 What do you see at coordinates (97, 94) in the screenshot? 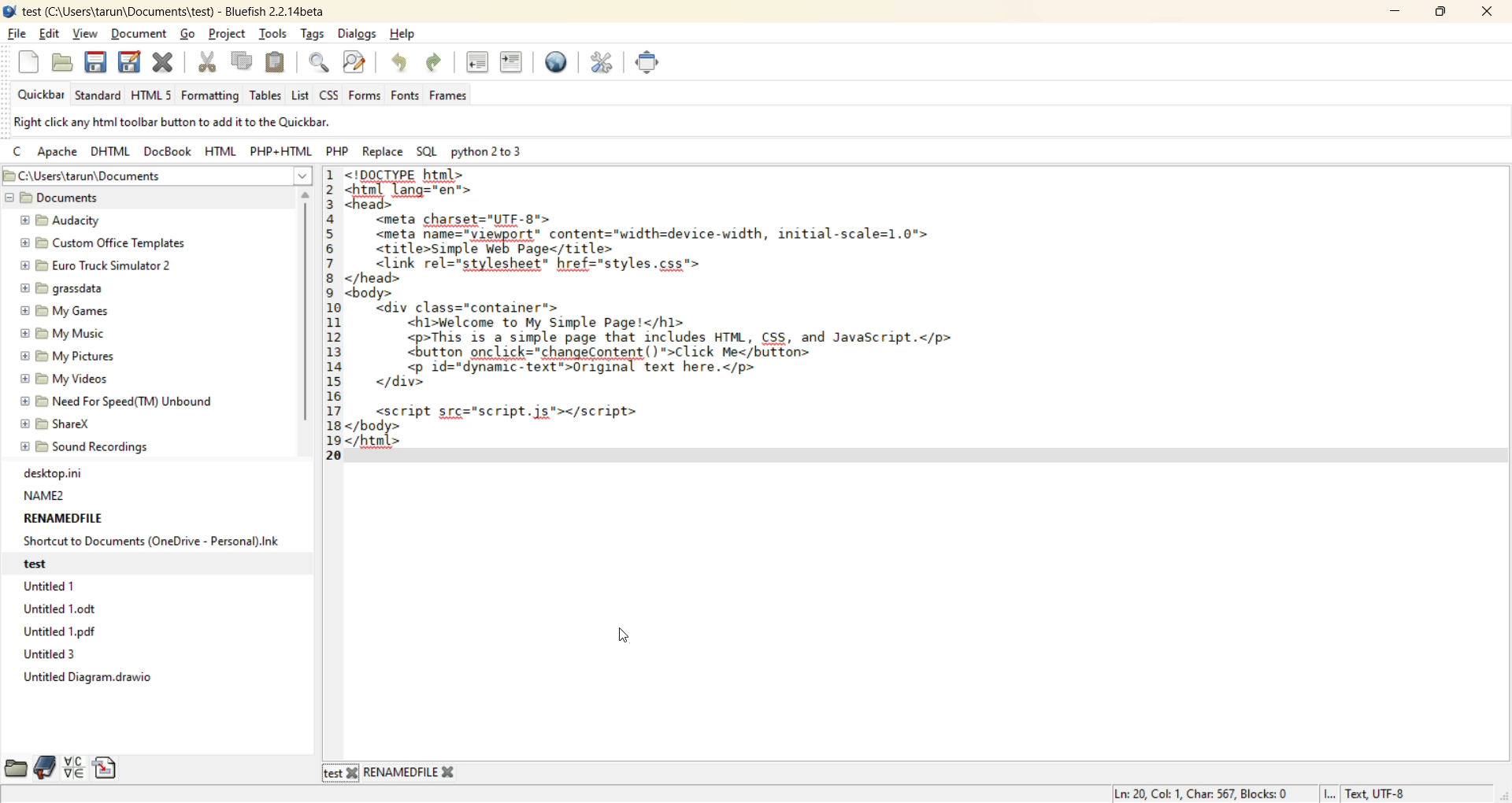
I see `standard` at bounding box center [97, 94].